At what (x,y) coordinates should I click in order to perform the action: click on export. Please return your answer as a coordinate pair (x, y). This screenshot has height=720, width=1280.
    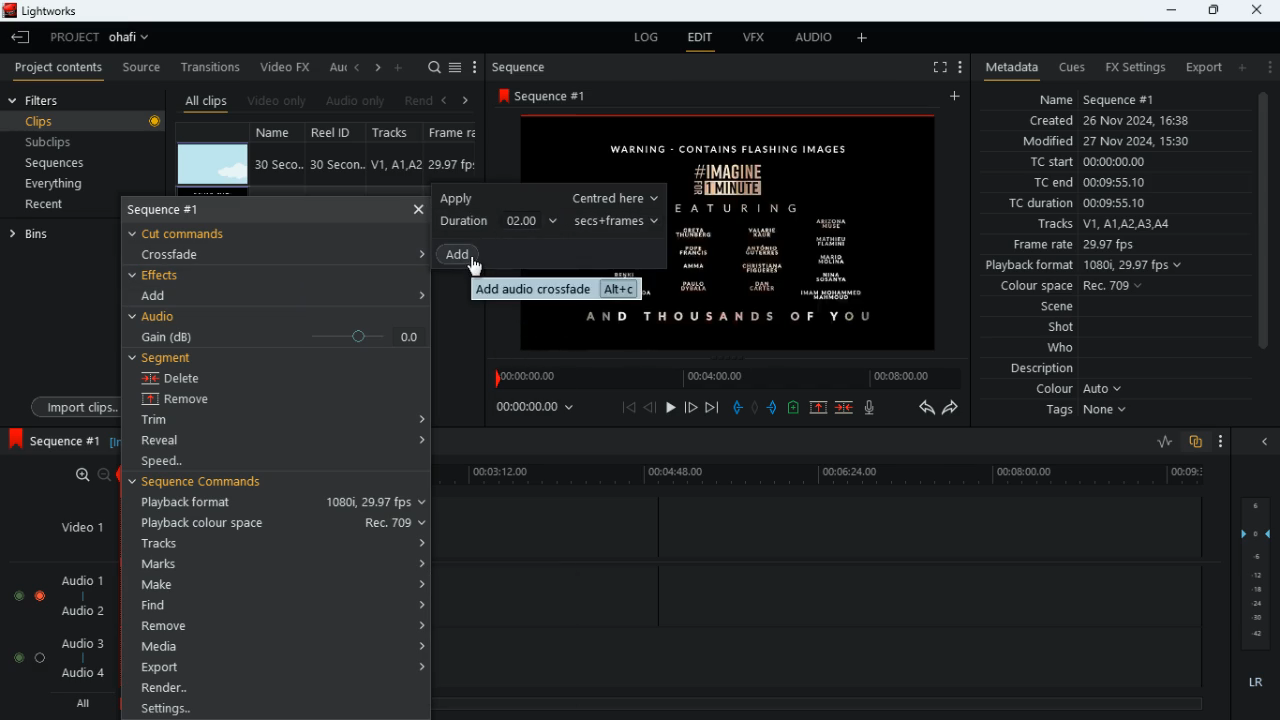
    Looking at the image, I should click on (1198, 68).